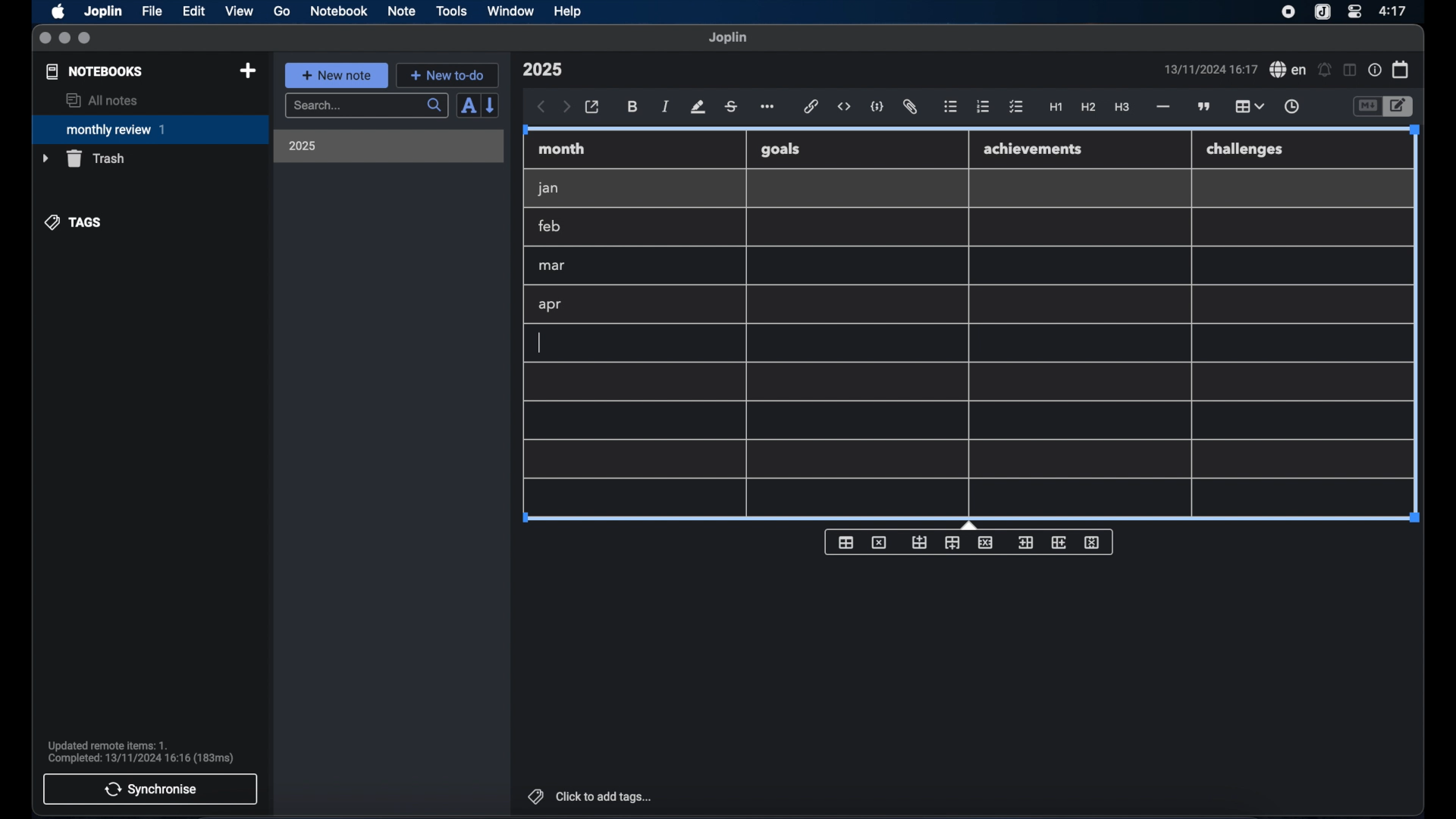  What do you see at coordinates (920, 543) in the screenshot?
I see `insert row before` at bounding box center [920, 543].